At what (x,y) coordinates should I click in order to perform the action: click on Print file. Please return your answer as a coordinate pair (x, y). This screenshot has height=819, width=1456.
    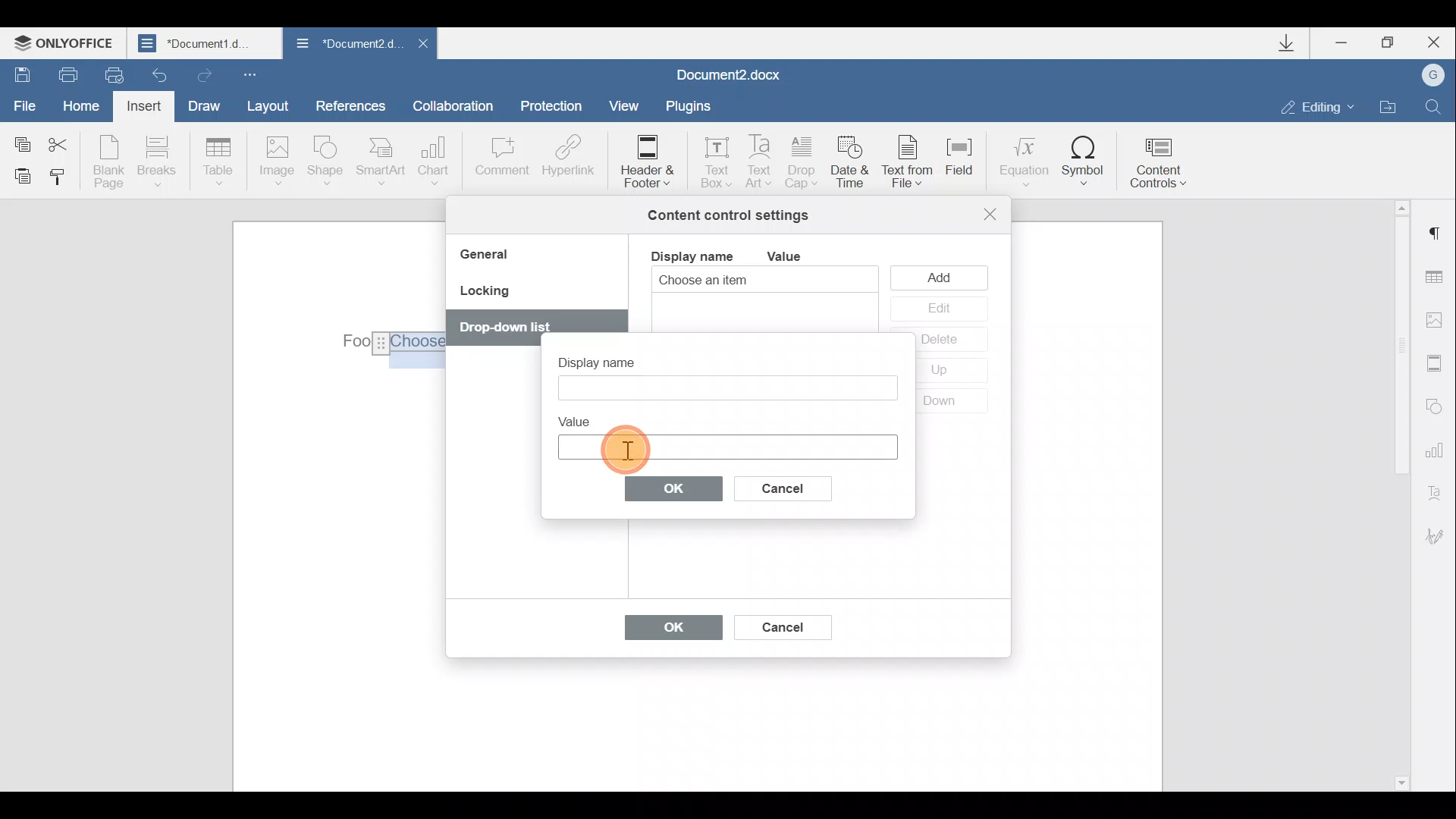
    Looking at the image, I should click on (60, 74).